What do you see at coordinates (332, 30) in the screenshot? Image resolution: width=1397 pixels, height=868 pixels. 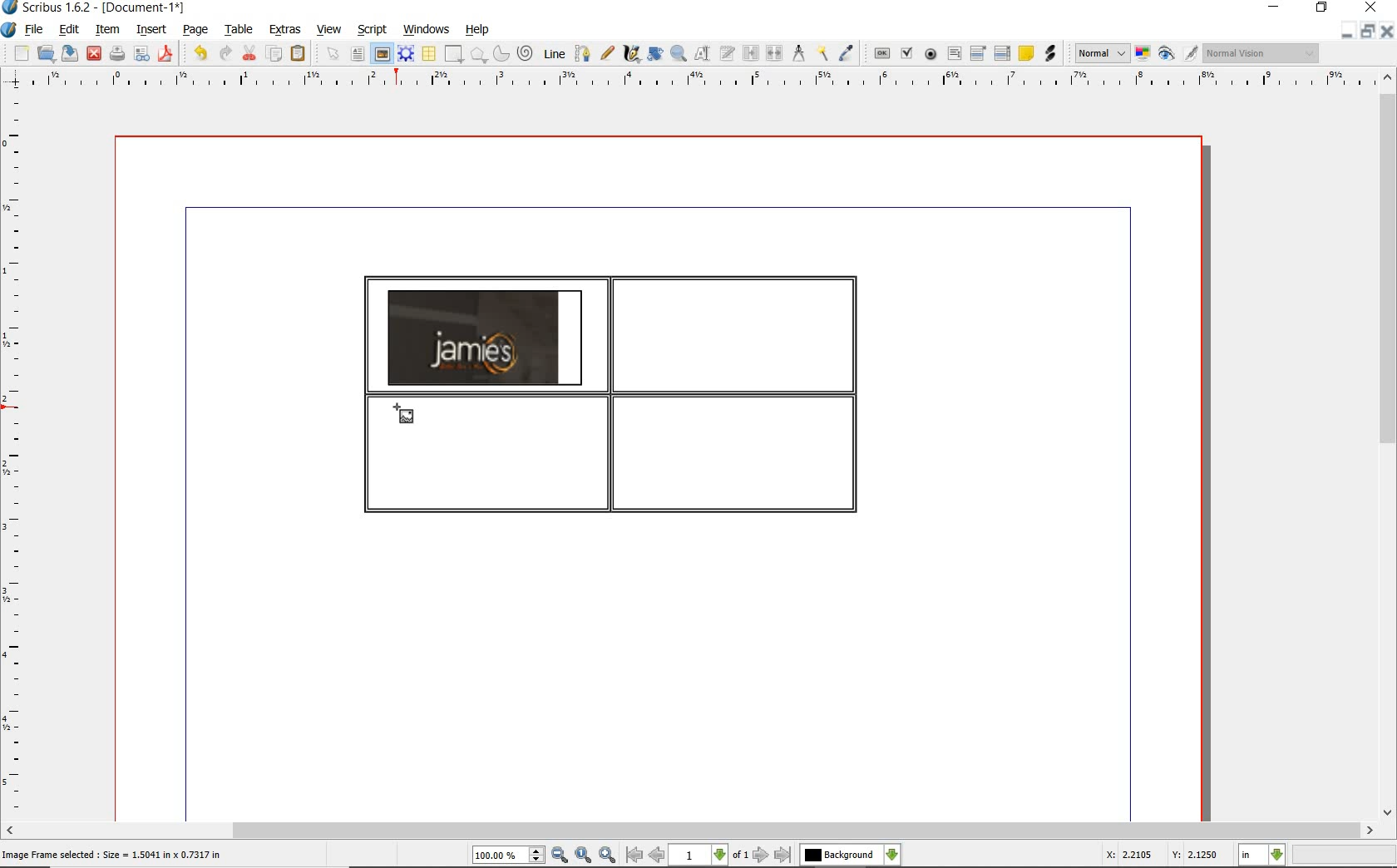 I see `view ` at bounding box center [332, 30].